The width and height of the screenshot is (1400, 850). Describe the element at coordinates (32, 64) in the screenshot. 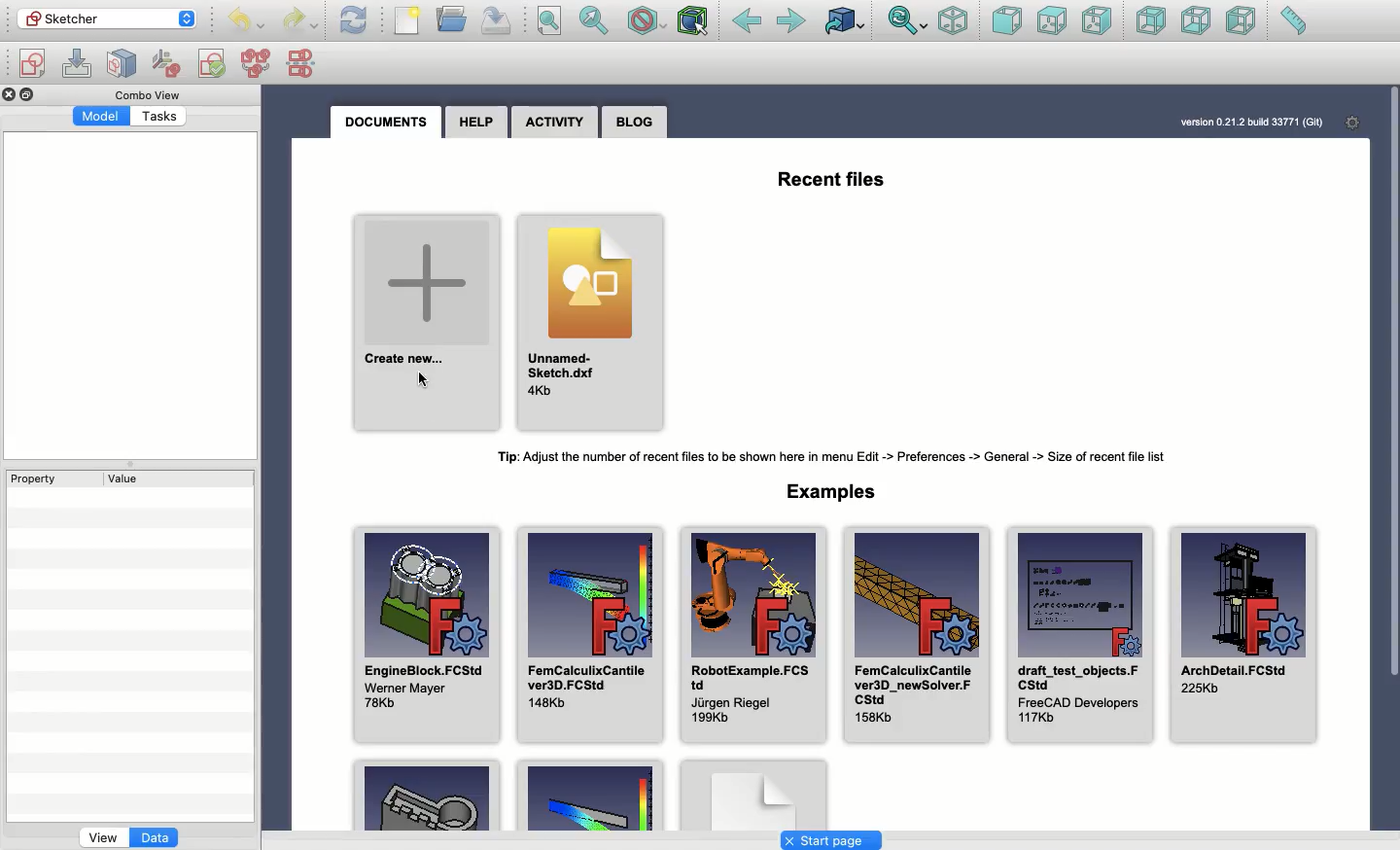

I see `Create sketch` at that location.